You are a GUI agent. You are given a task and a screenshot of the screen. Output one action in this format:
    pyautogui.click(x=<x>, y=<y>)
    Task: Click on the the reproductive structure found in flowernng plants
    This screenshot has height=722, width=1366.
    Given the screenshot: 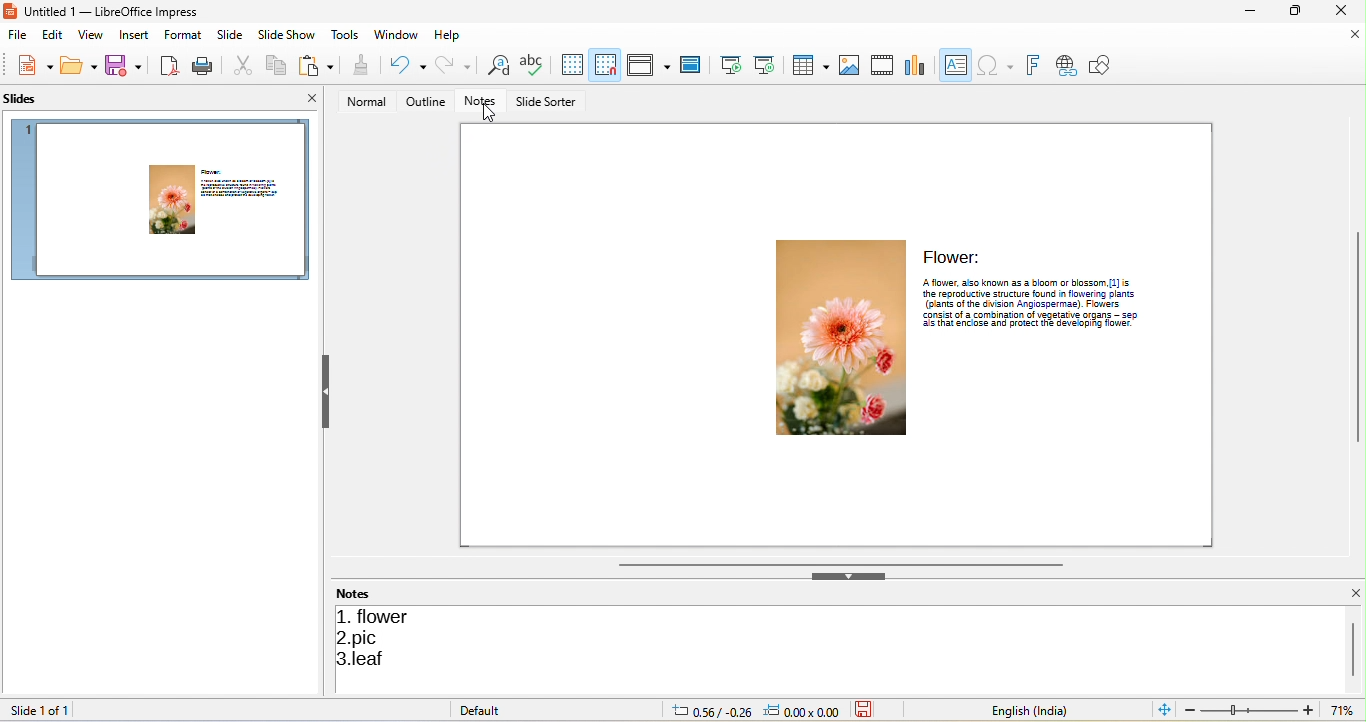 What is the action you would take?
    pyautogui.click(x=1044, y=293)
    